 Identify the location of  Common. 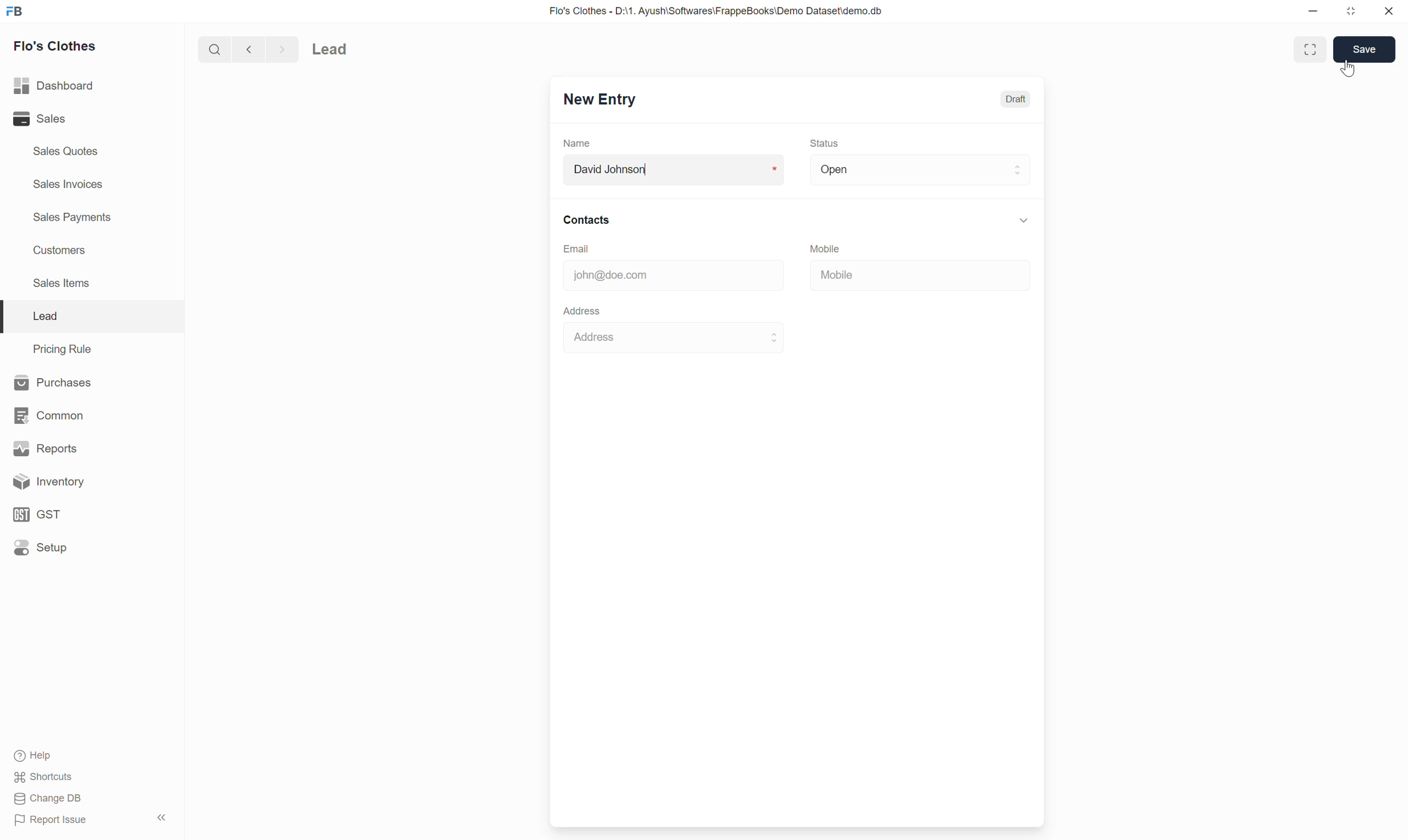
(48, 415).